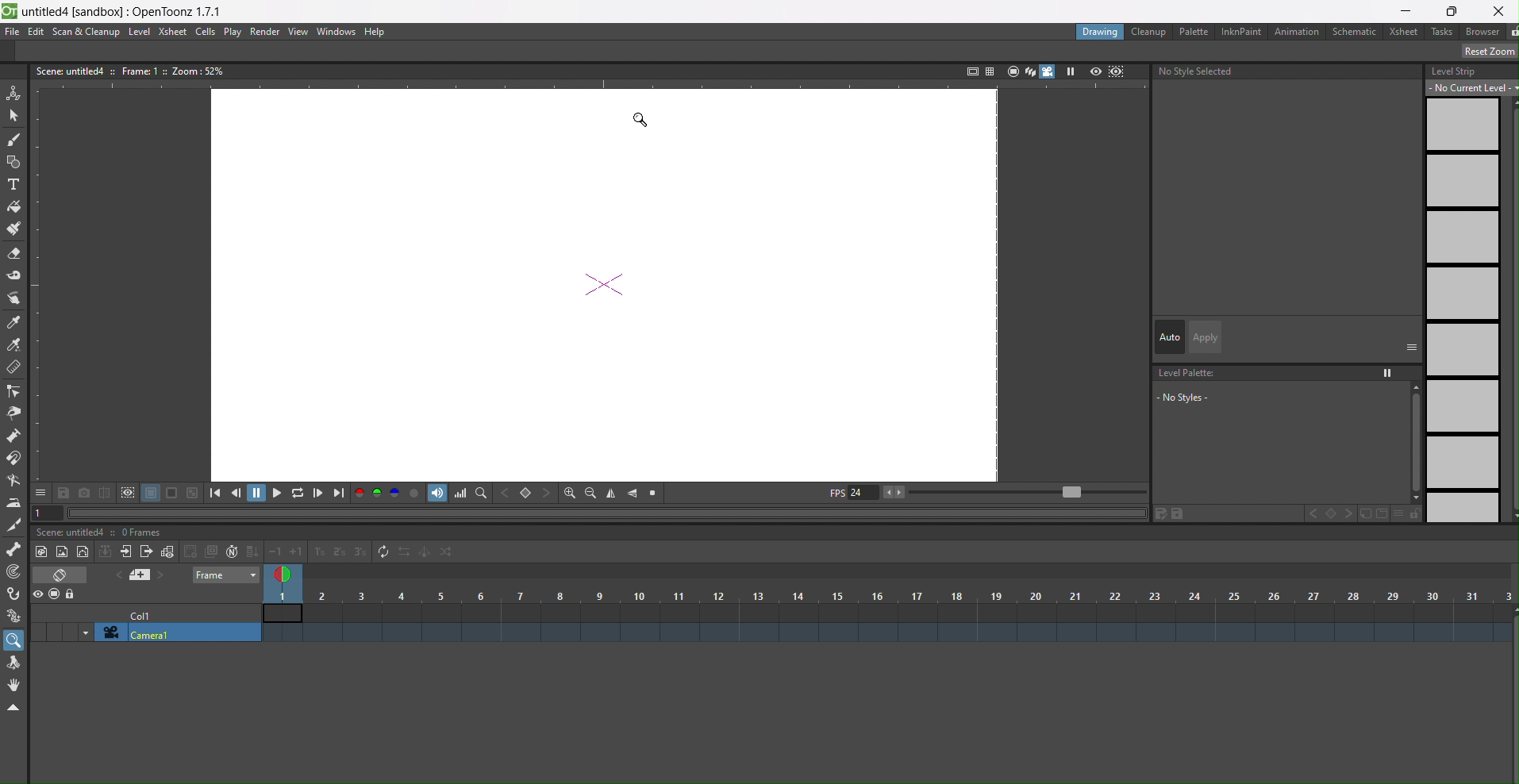 This screenshot has width=1519, height=784. Describe the element at coordinates (640, 122) in the screenshot. I see `cursor` at that location.